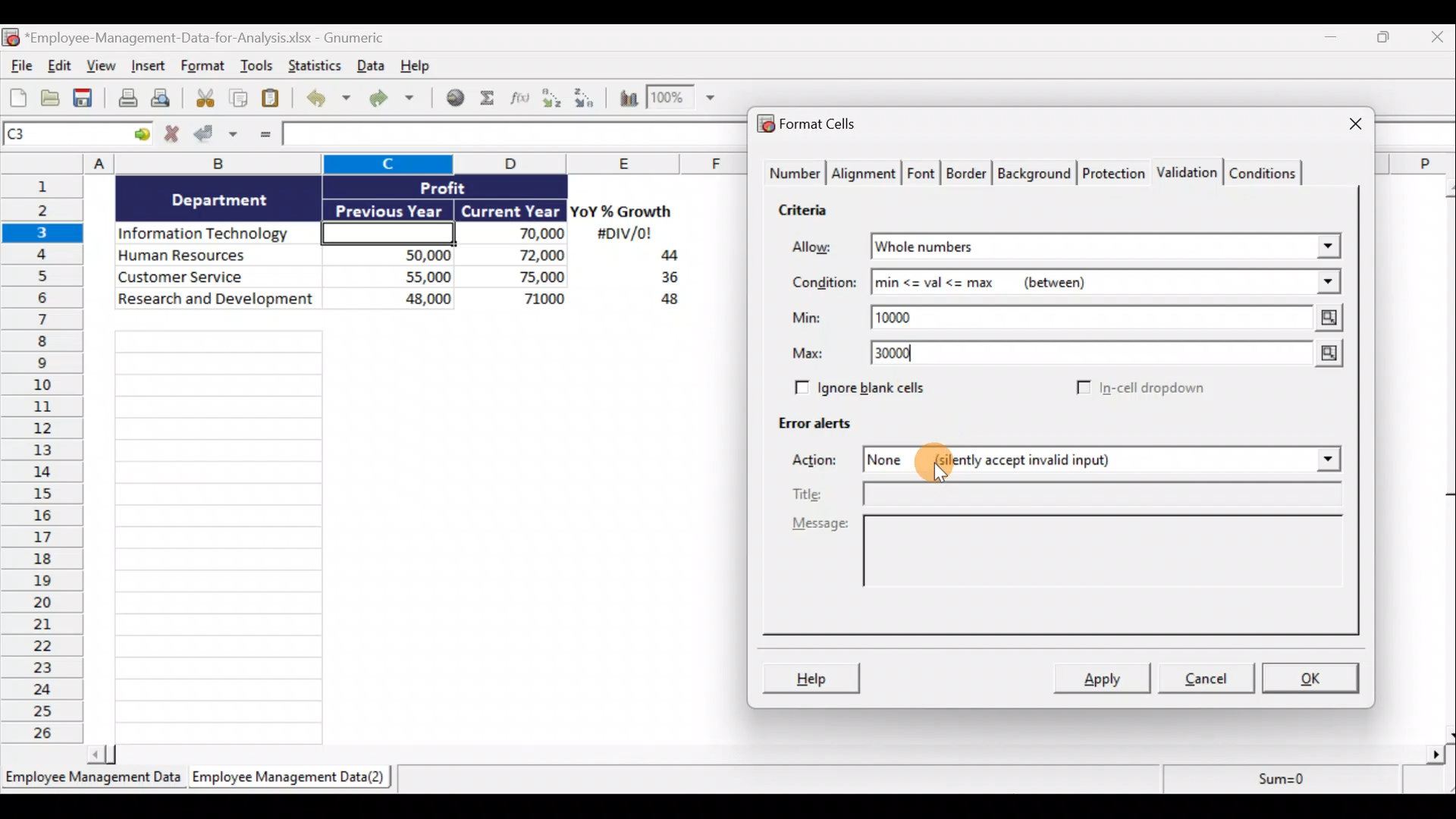 The height and width of the screenshot is (819, 1456). Describe the element at coordinates (215, 256) in the screenshot. I see `Human Resources` at that location.